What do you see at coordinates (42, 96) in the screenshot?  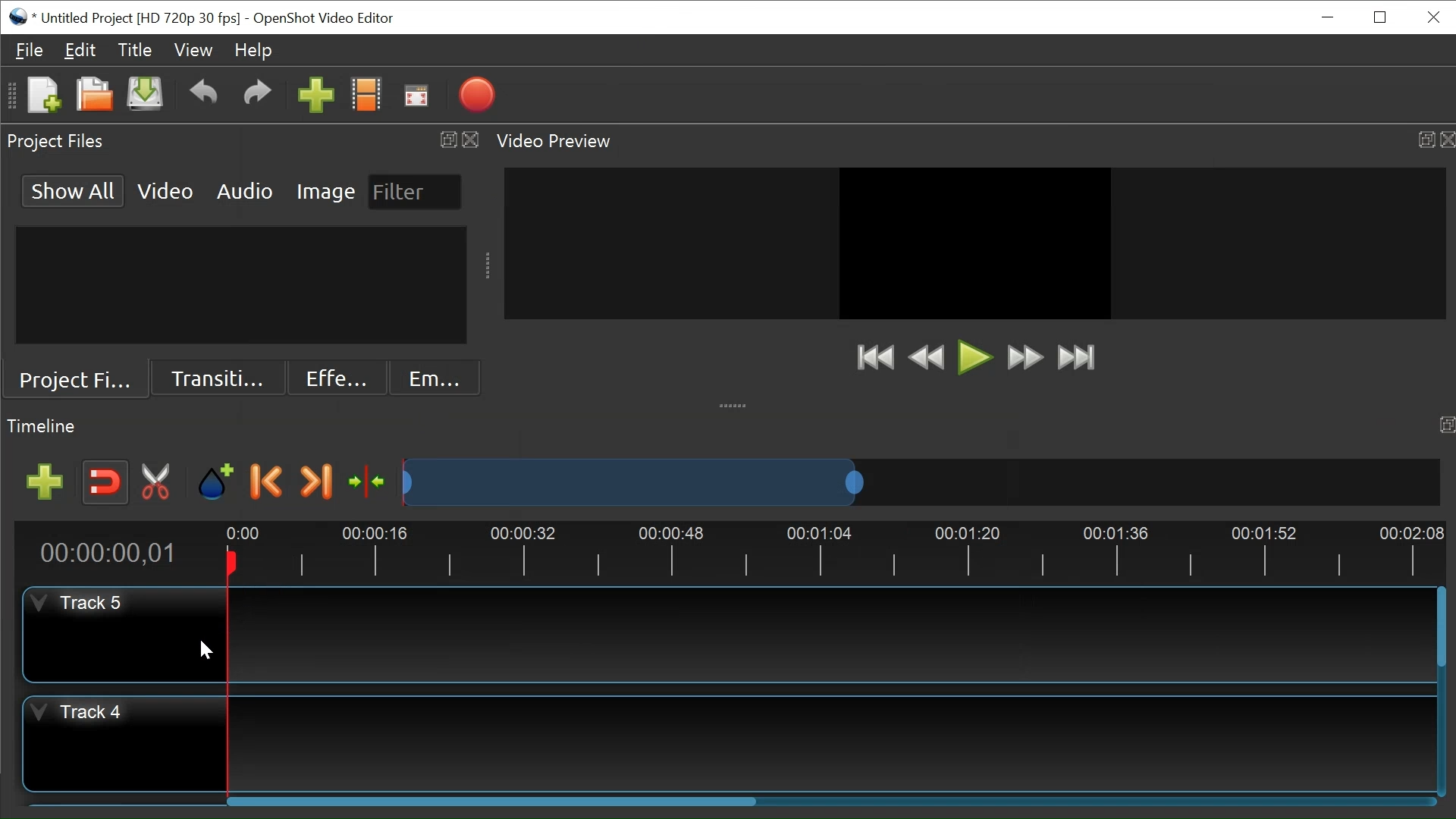 I see `New File` at bounding box center [42, 96].